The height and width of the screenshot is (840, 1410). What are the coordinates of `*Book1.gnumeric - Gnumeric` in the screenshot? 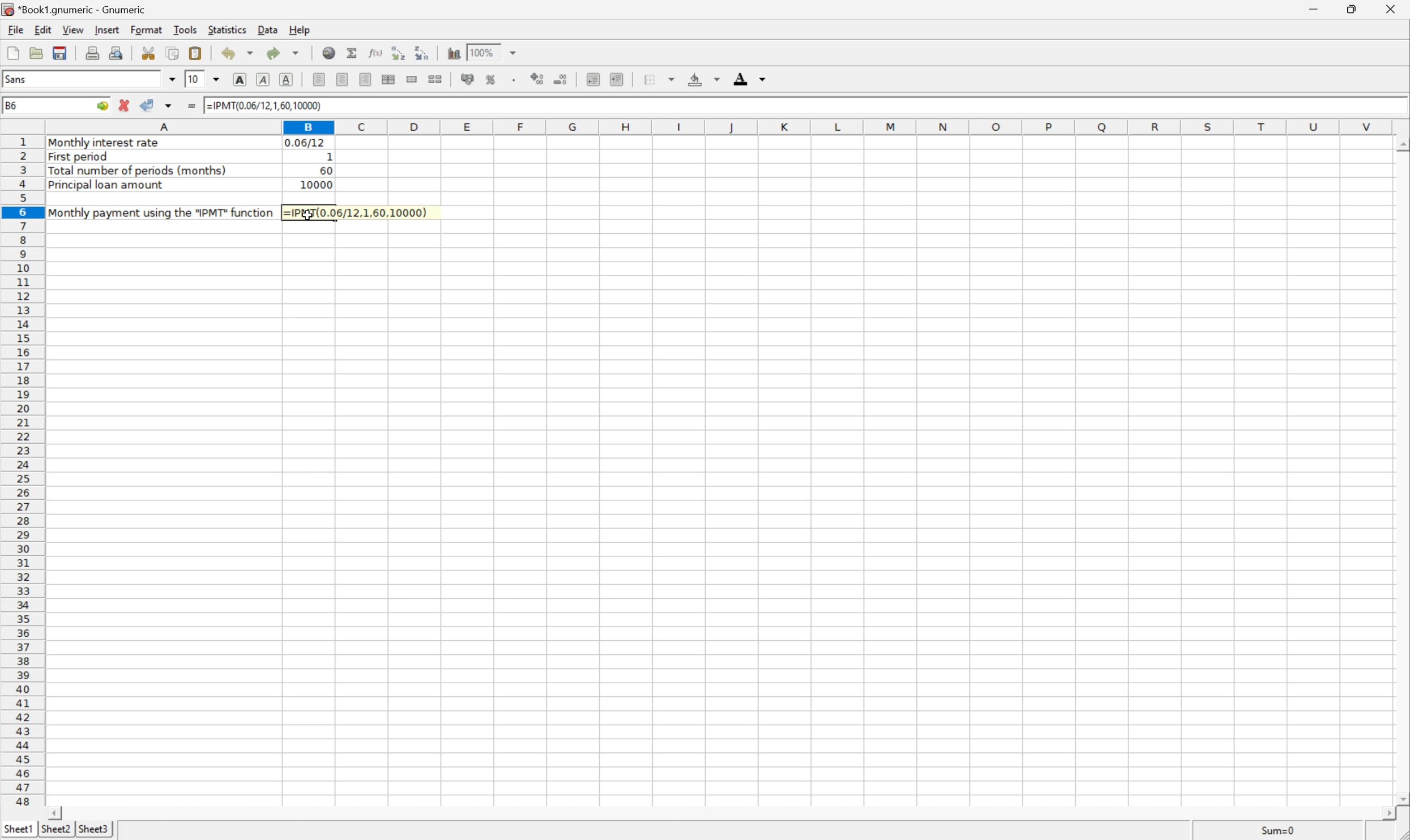 It's located at (79, 9).